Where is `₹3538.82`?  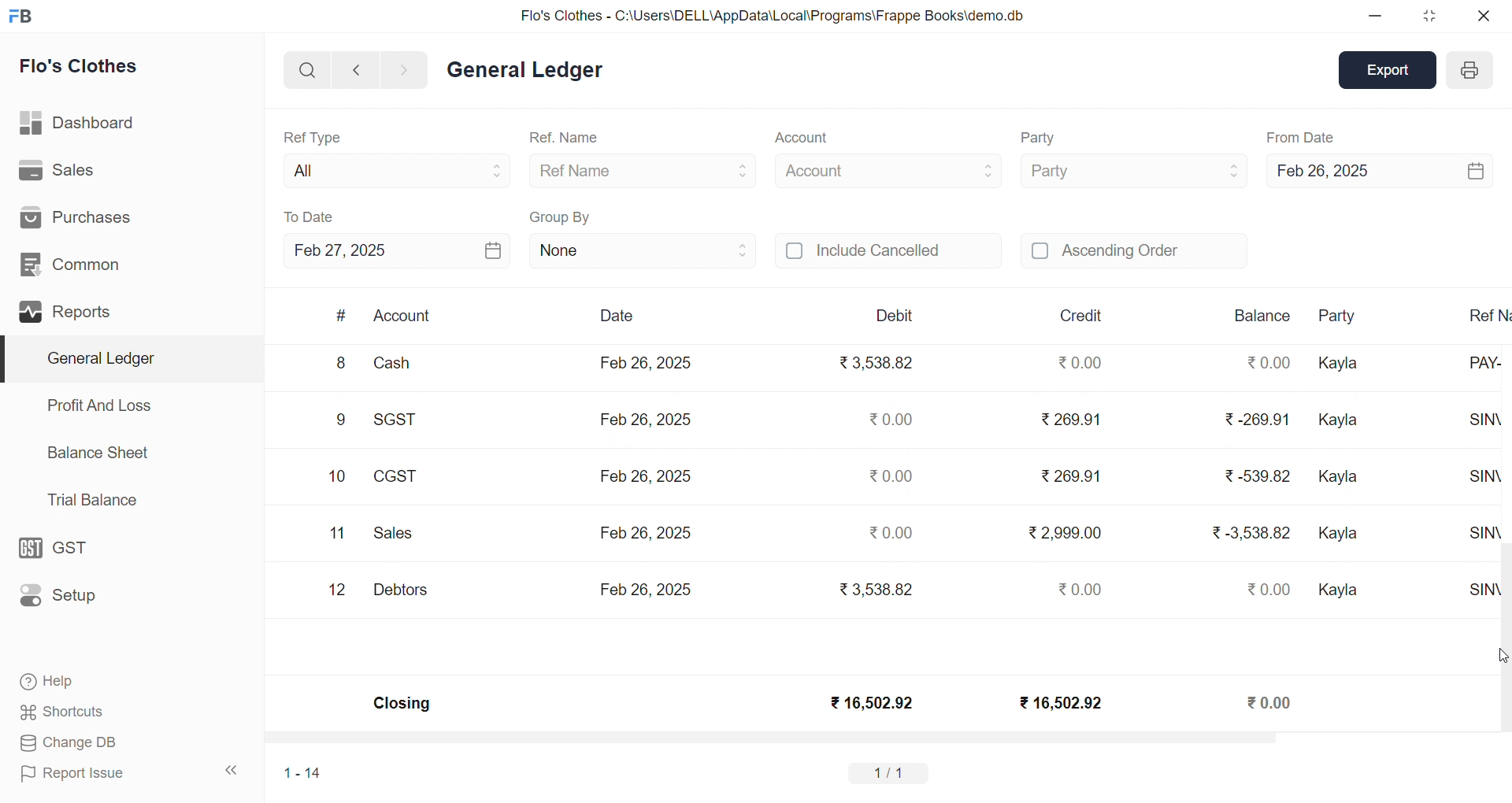
₹3538.82 is located at coordinates (873, 587).